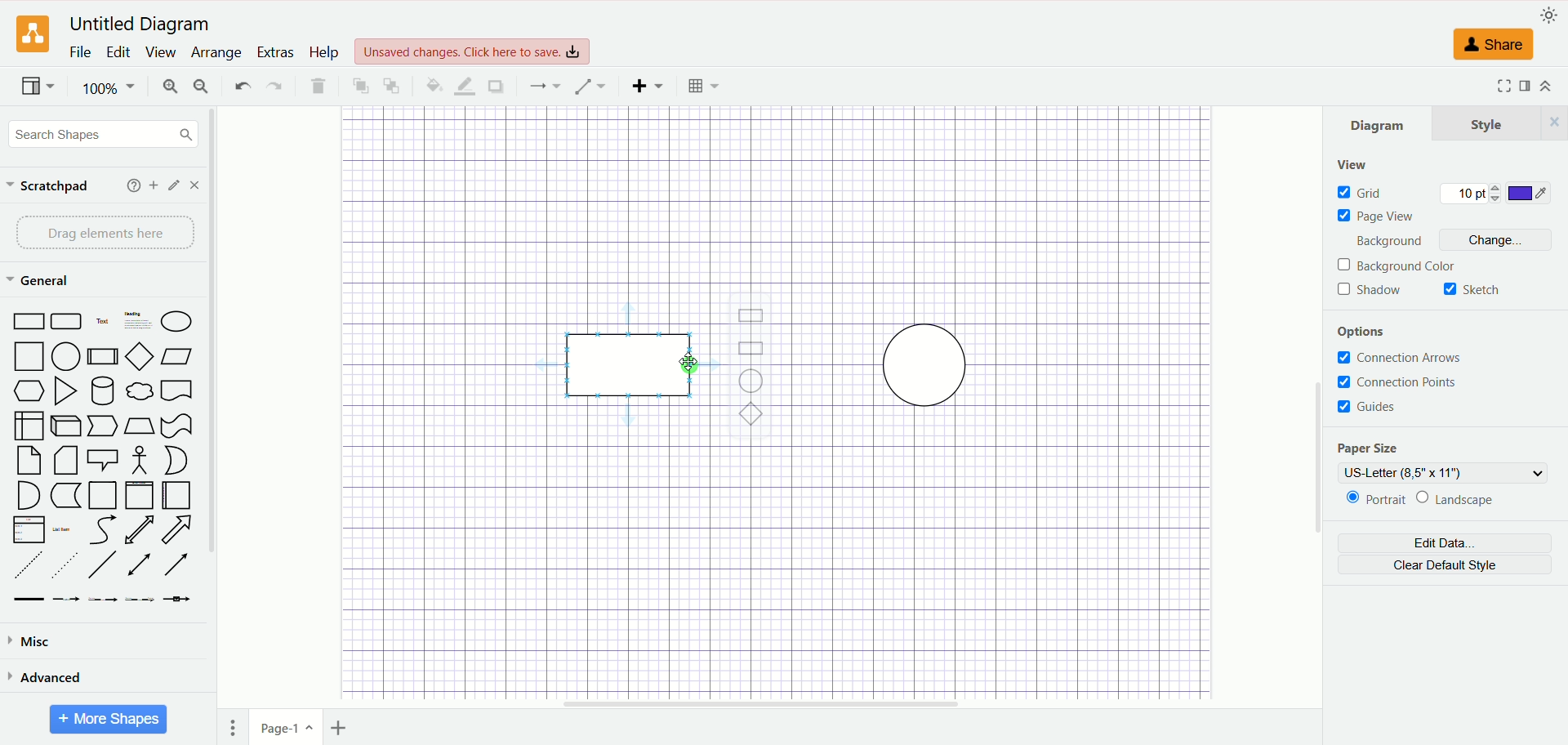 This screenshot has height=745, width=1568. Describe the element at coordinates (1383, 243) in the screenshot. I see `background` at that location.